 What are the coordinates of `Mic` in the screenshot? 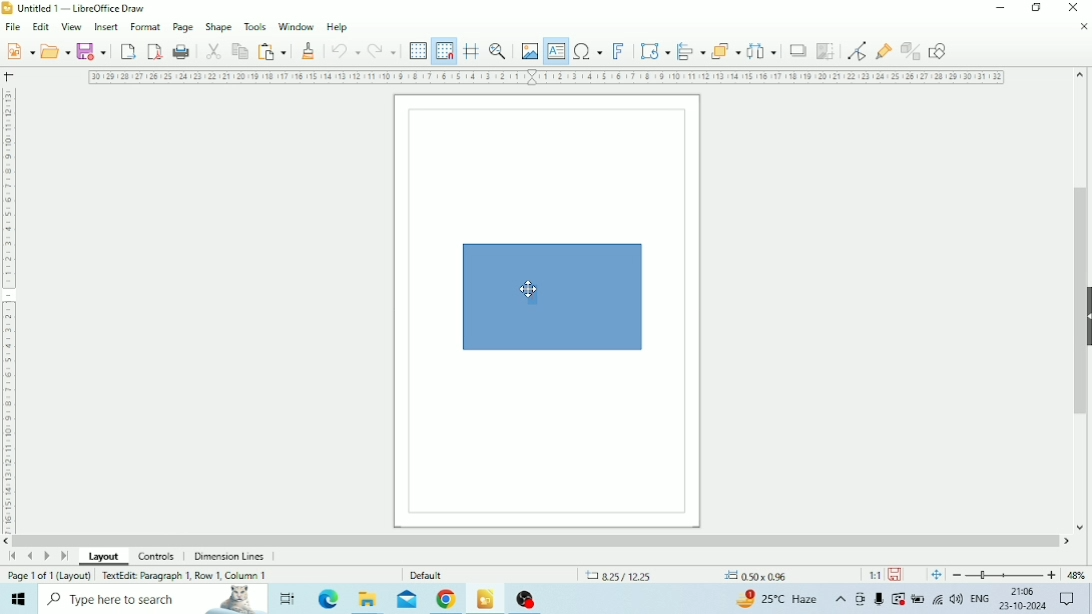 It's located at (879, 600).